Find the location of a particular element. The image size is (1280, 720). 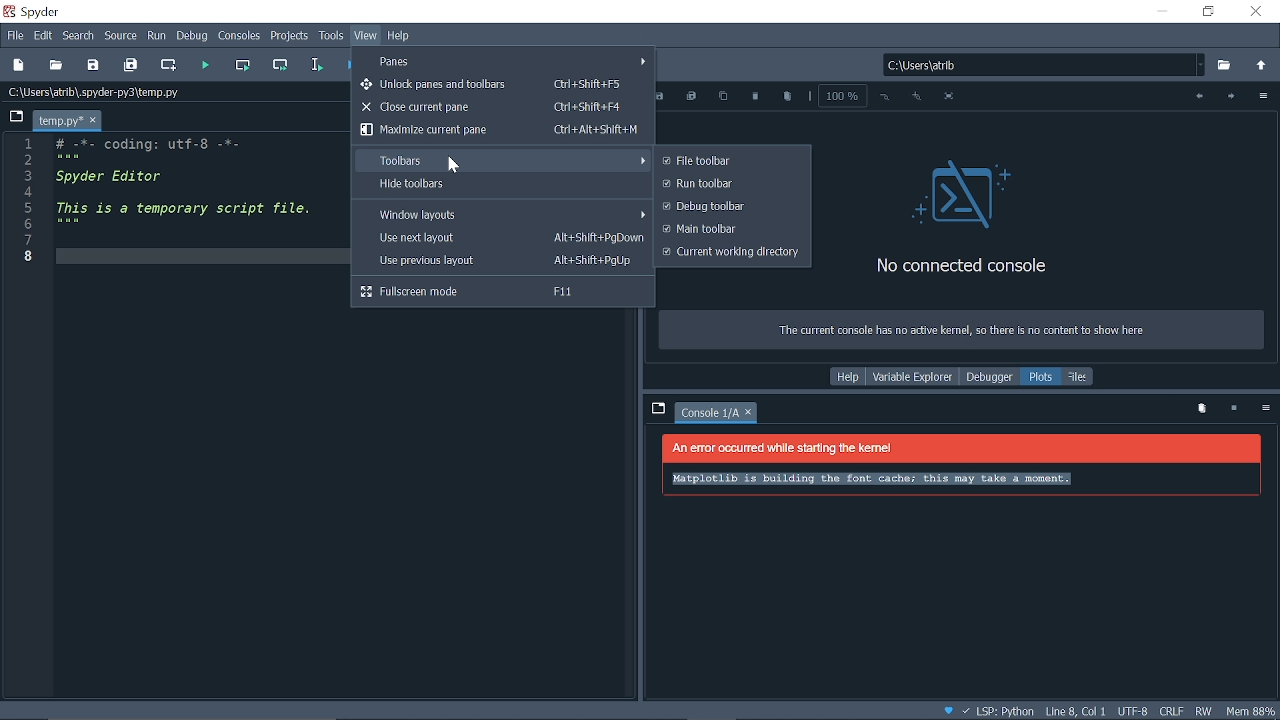

Debug toolbar is located at coordinates (730, 206).